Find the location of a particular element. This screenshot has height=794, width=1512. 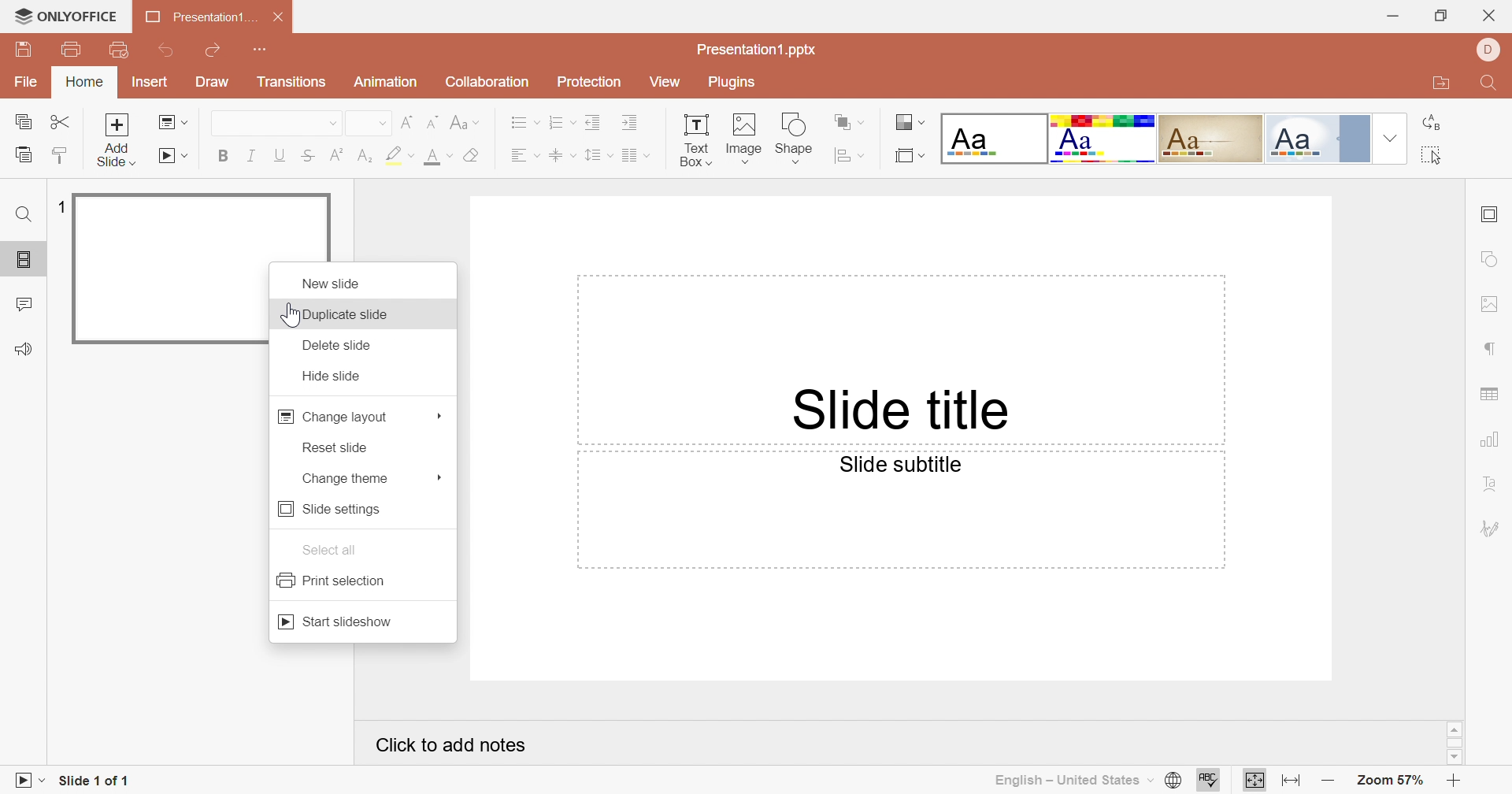

Click to Add notes is located at coordinates (453, 744).